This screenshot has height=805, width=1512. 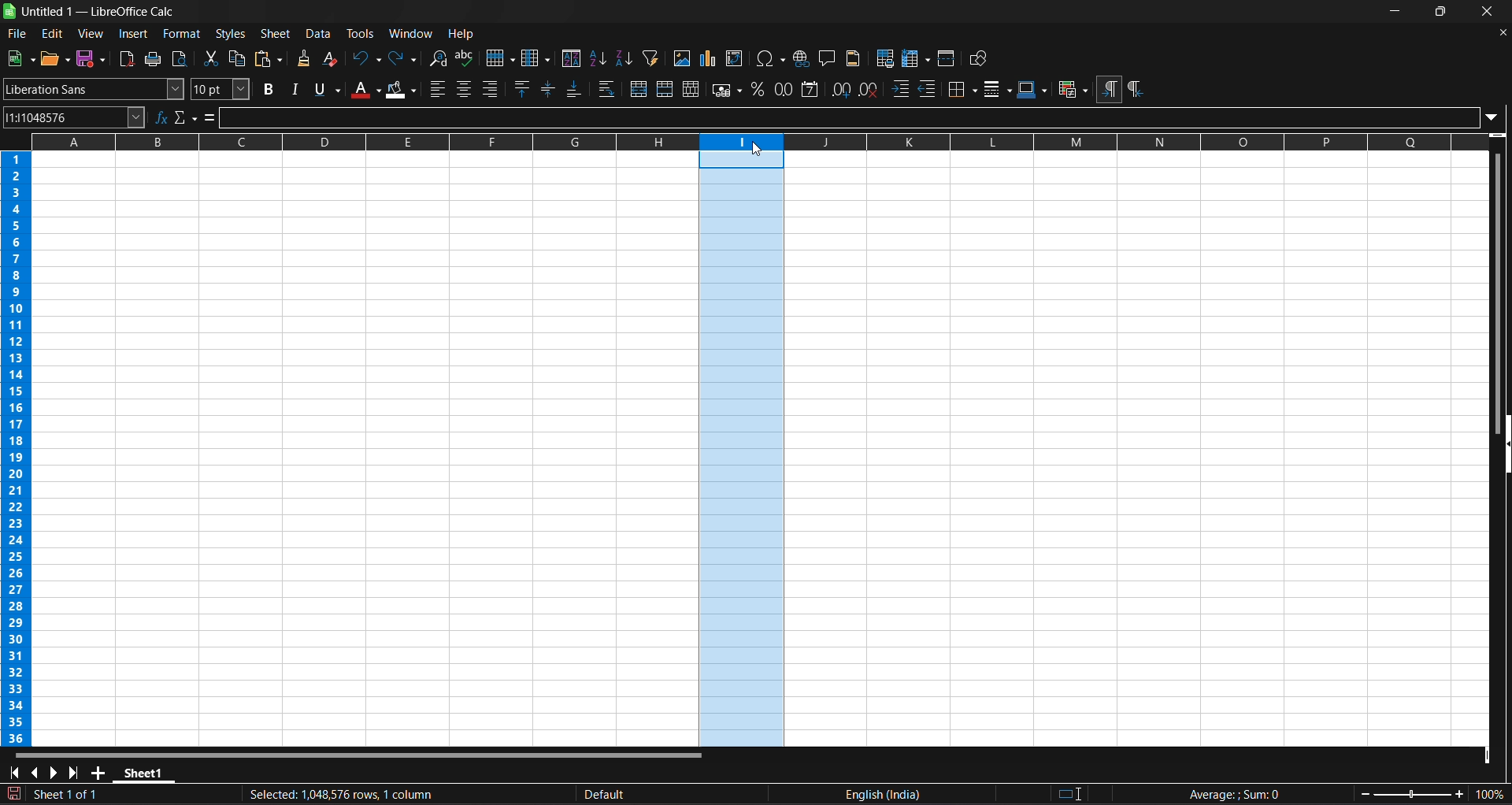 I want to click on toggle print preview, so click(x=181, y=58).